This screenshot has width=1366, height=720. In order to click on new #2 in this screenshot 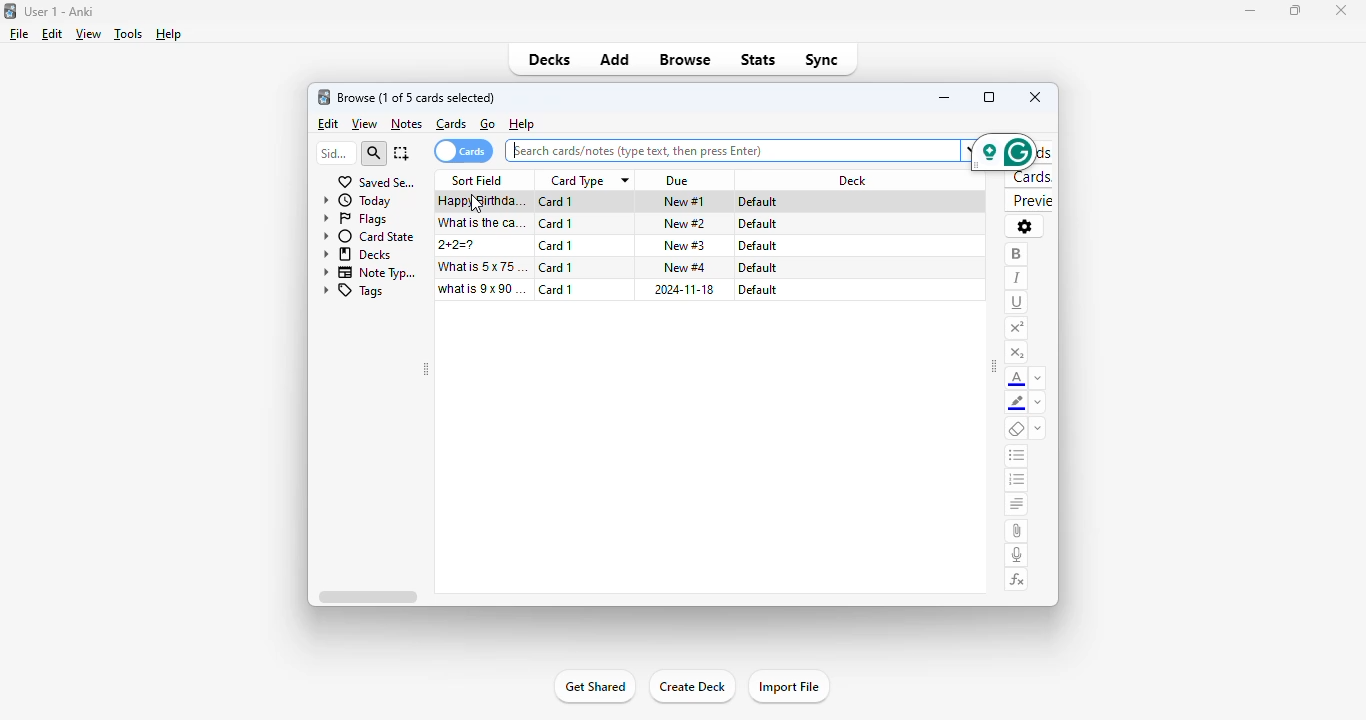, I will do `click(685, 224)`.